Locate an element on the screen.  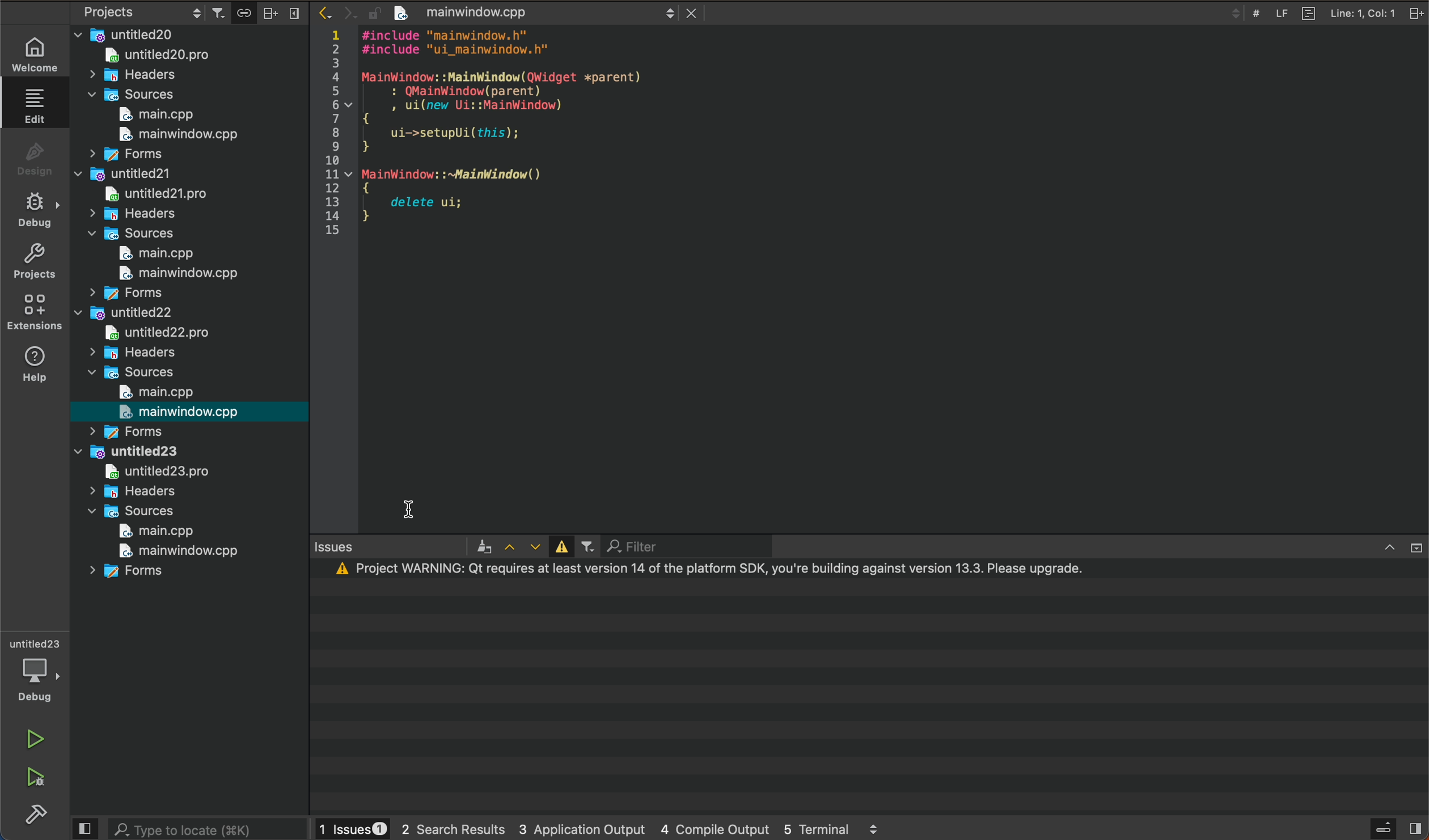
forms is located at coordinates (133, 574).